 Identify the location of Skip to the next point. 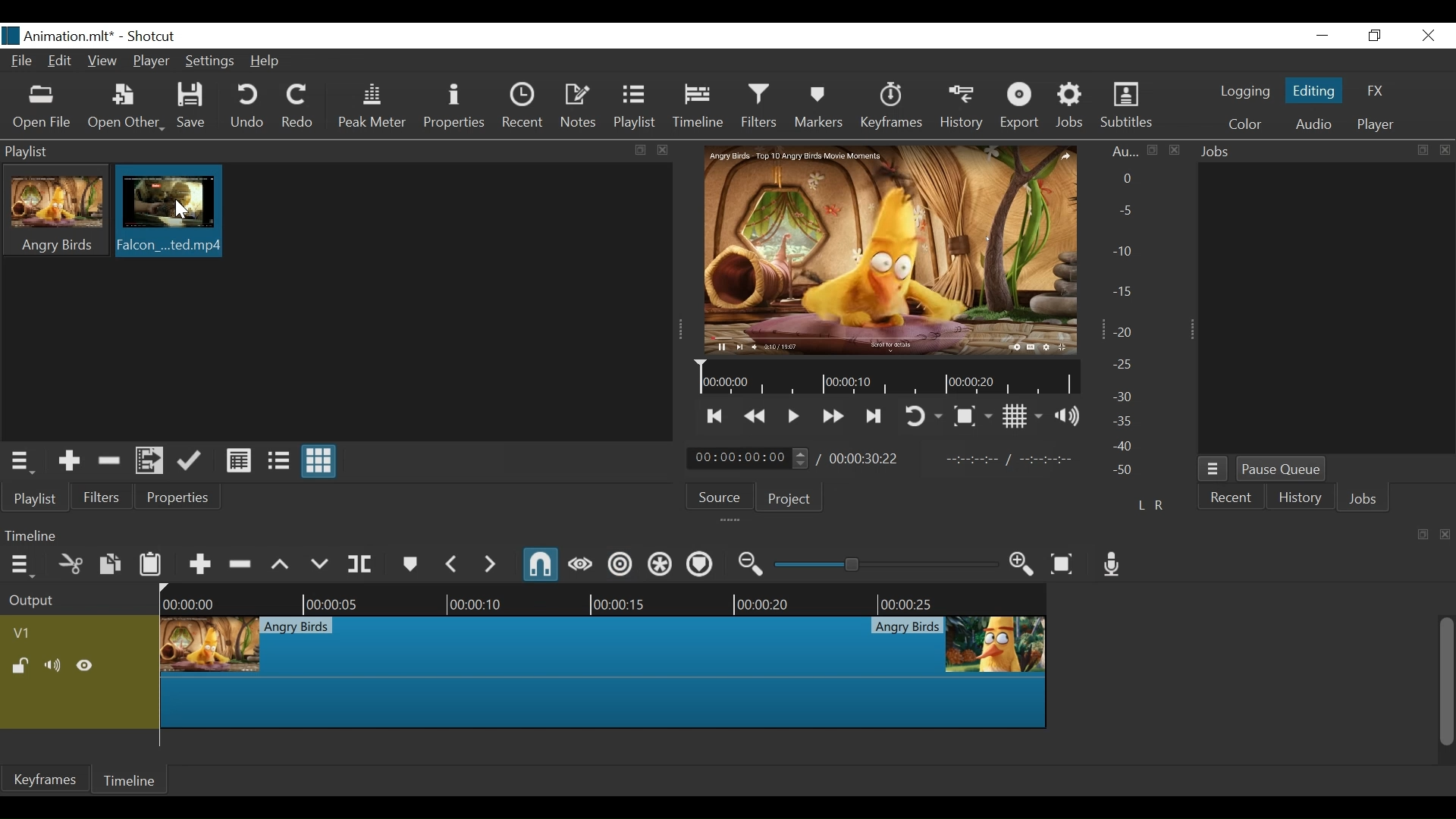
(875, 418).